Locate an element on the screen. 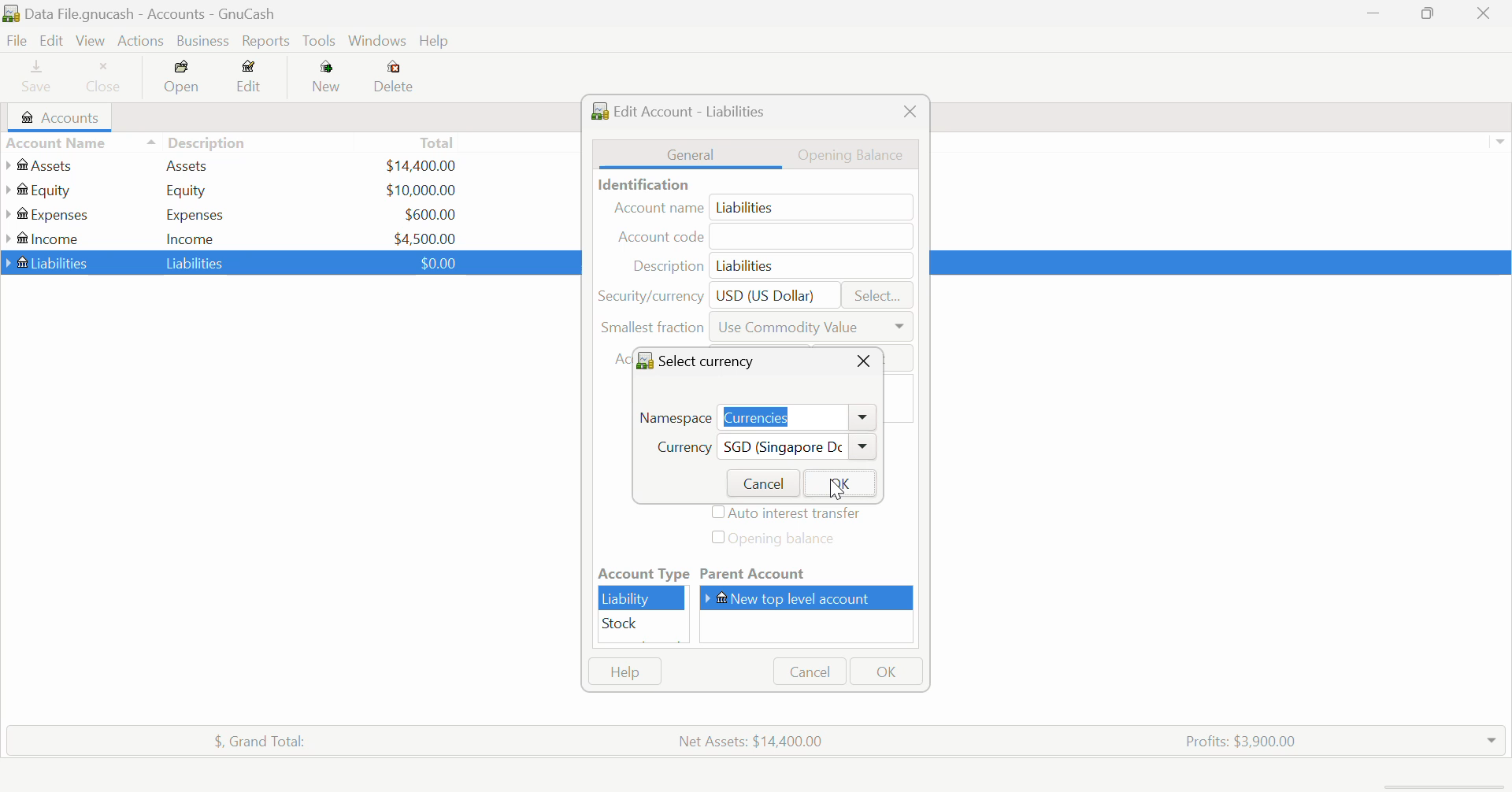 The image size is (1512, 792). Total is located at coordinates (439, 142).